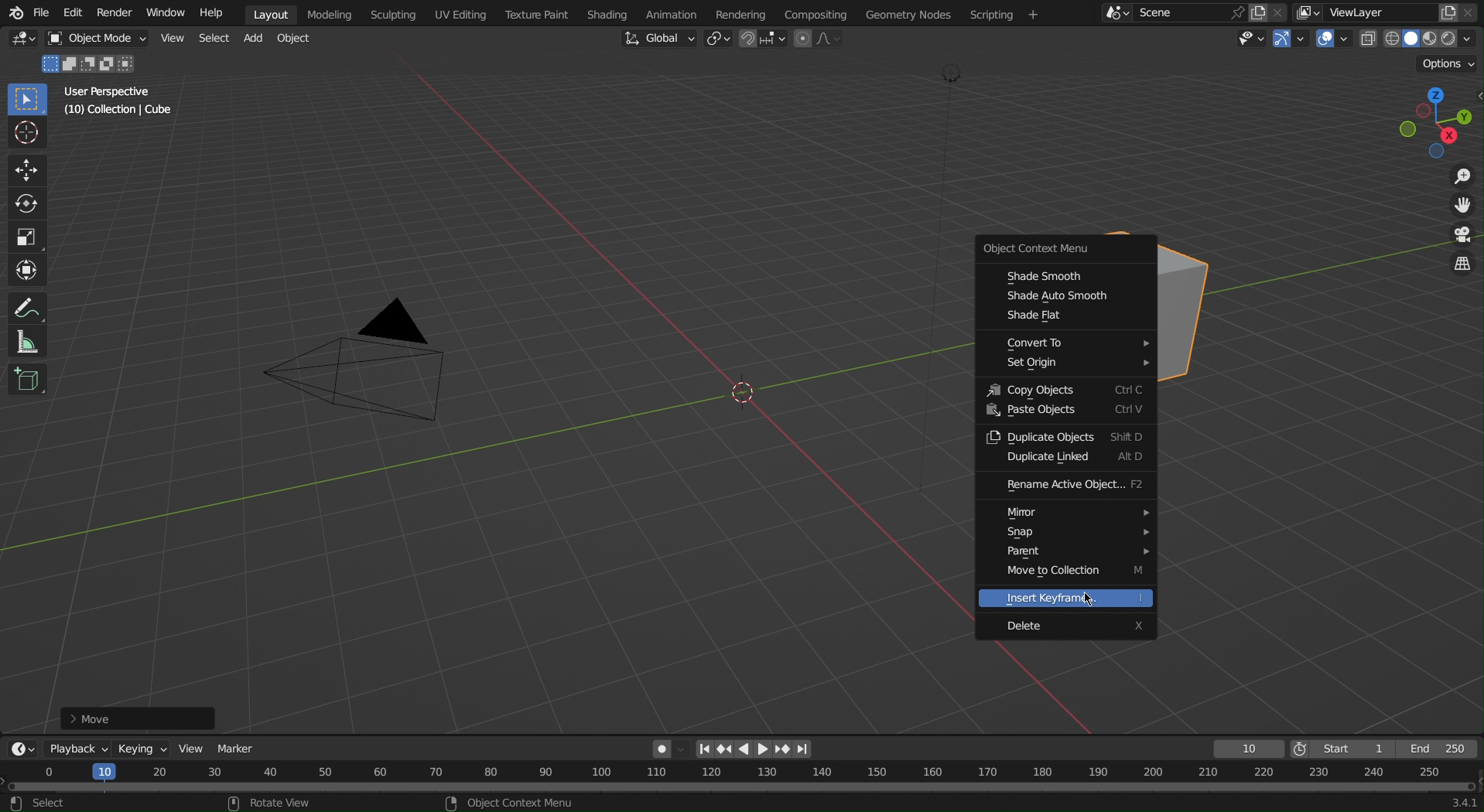 The width and height of the screenshot is (1484, 812). Describe the element at coordinates (1063, 365) in the screenshot. I see `Set Origin` at that location.